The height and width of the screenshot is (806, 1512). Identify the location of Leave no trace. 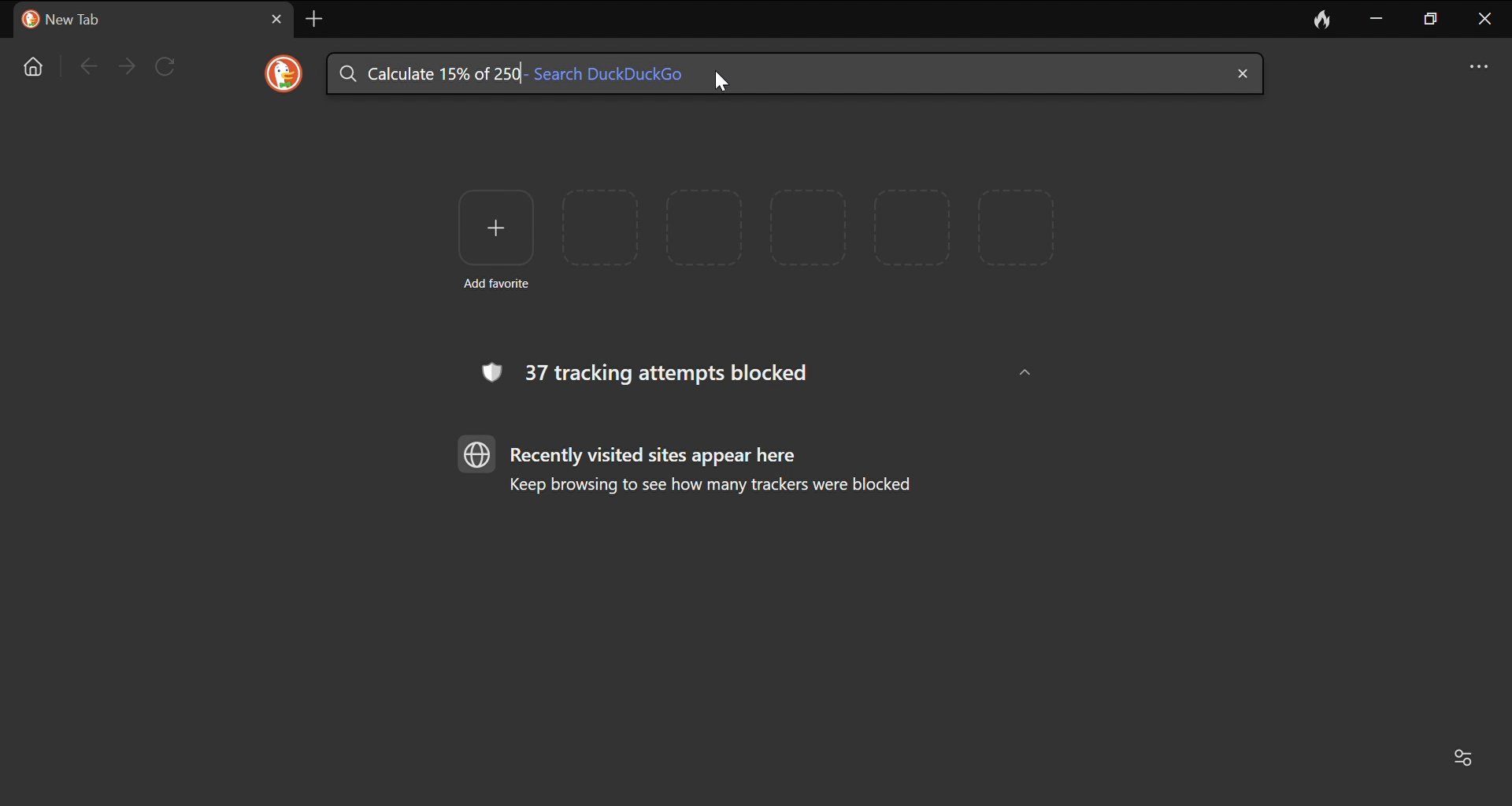
(1324, 18).